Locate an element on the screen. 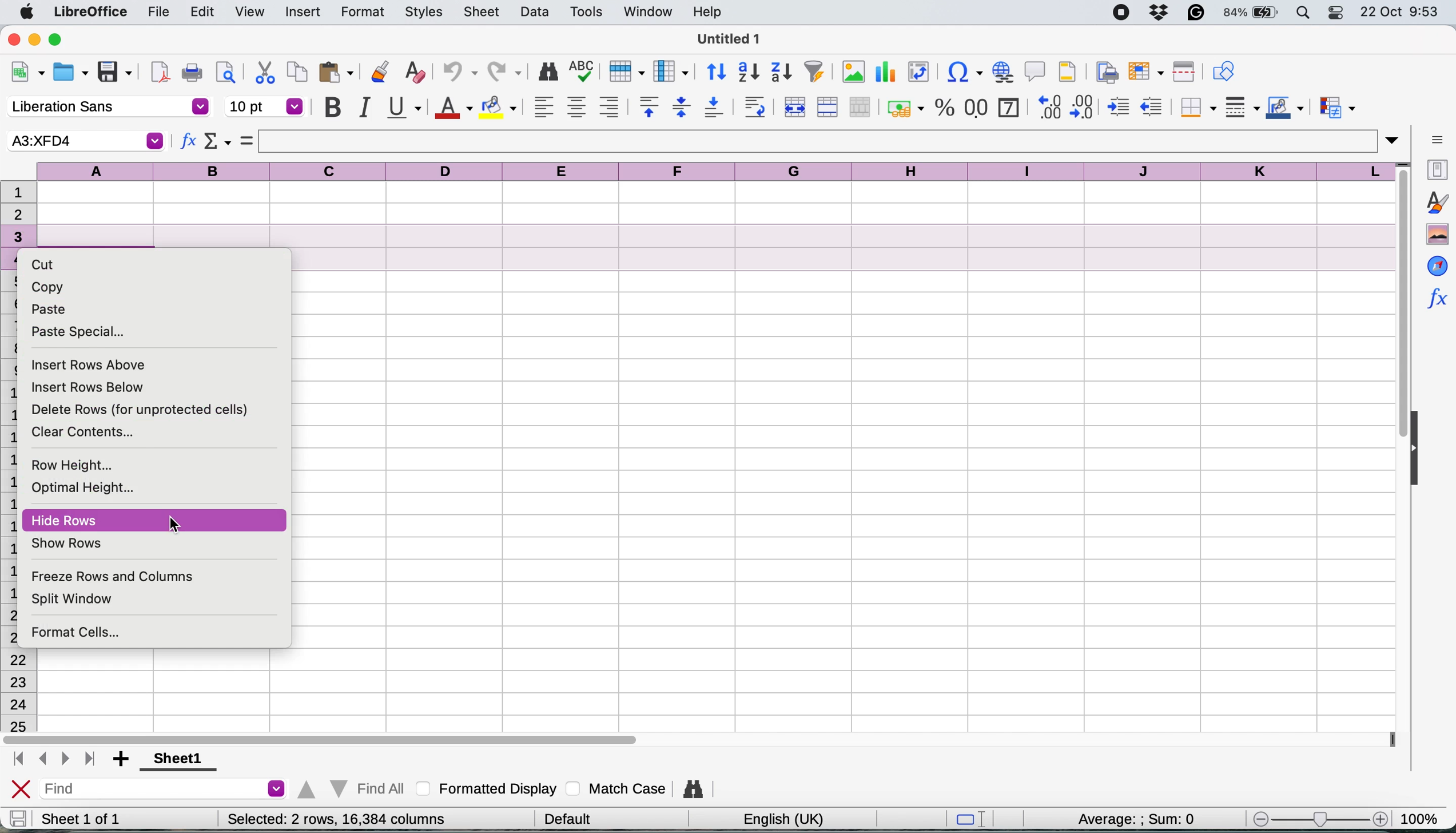  spelling is located at coordinates (583, 73).